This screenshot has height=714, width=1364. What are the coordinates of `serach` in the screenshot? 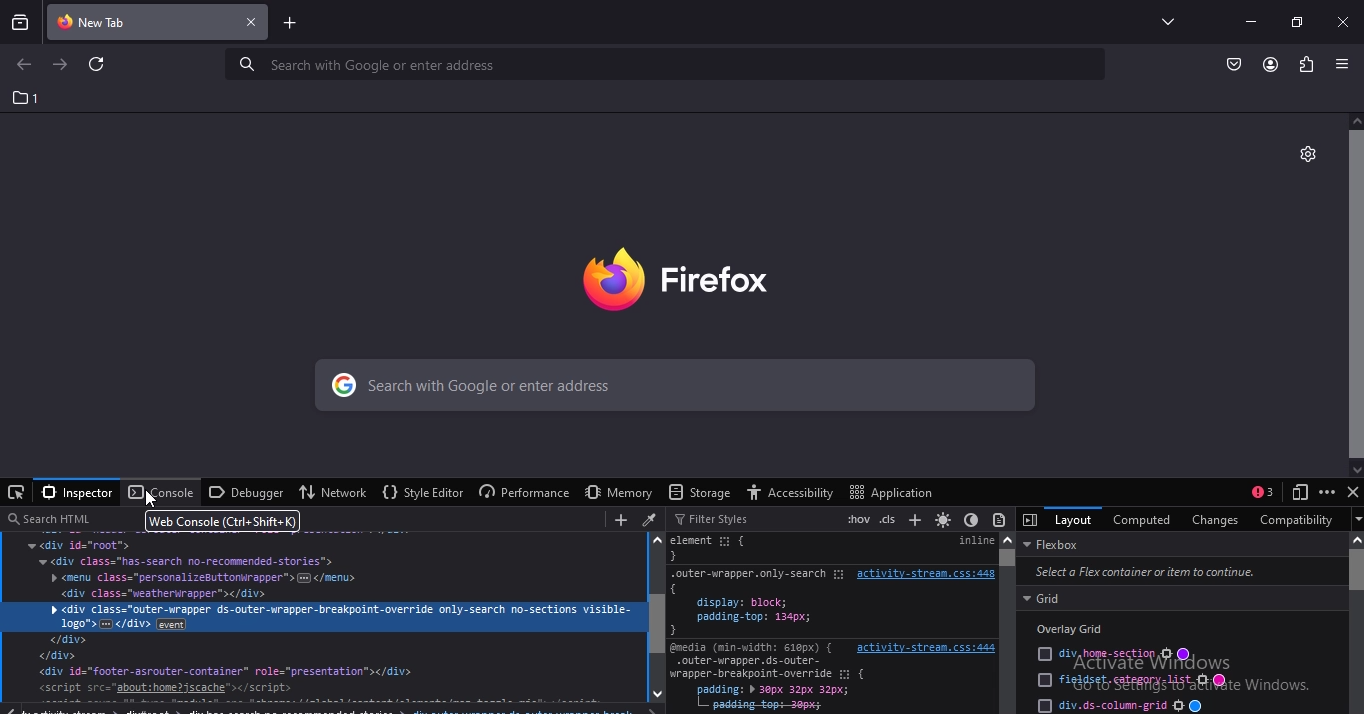 It's located at (657, 64).